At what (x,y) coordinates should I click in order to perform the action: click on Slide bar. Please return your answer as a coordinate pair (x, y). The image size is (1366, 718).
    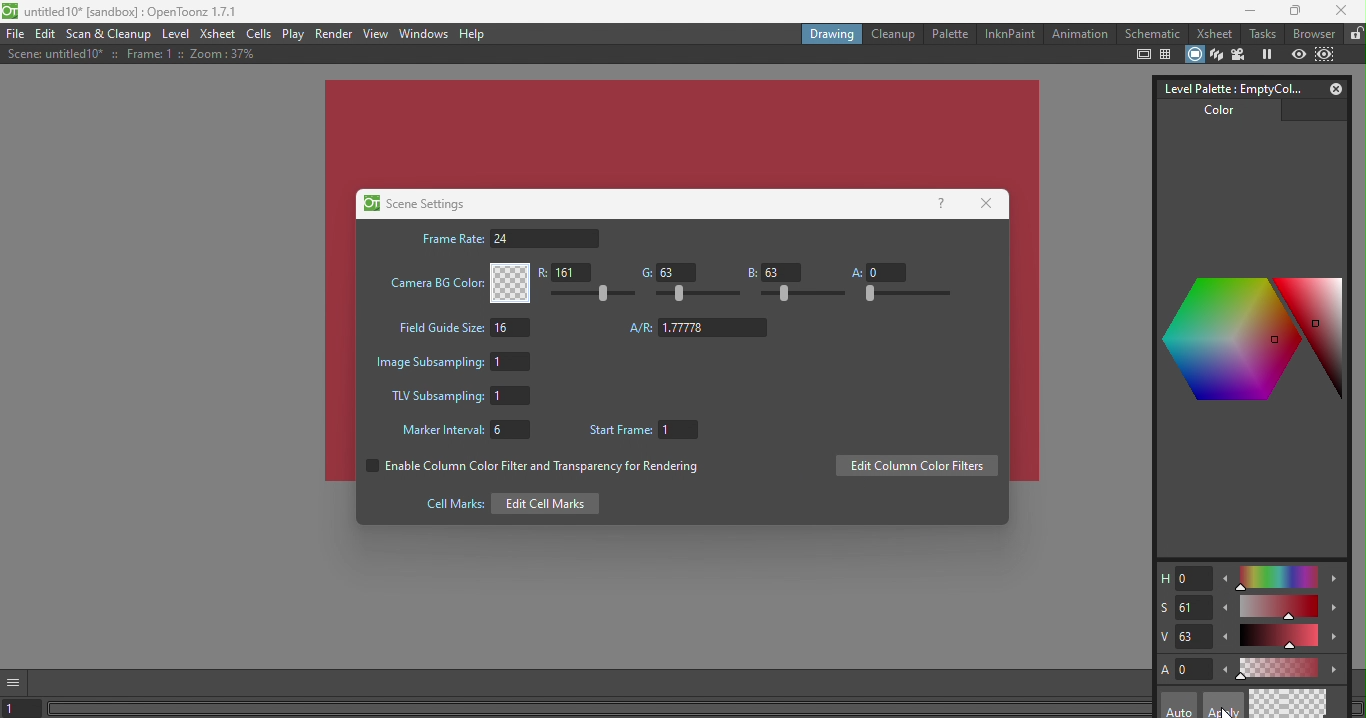
    Looking at the image, I should click on (906, 294).